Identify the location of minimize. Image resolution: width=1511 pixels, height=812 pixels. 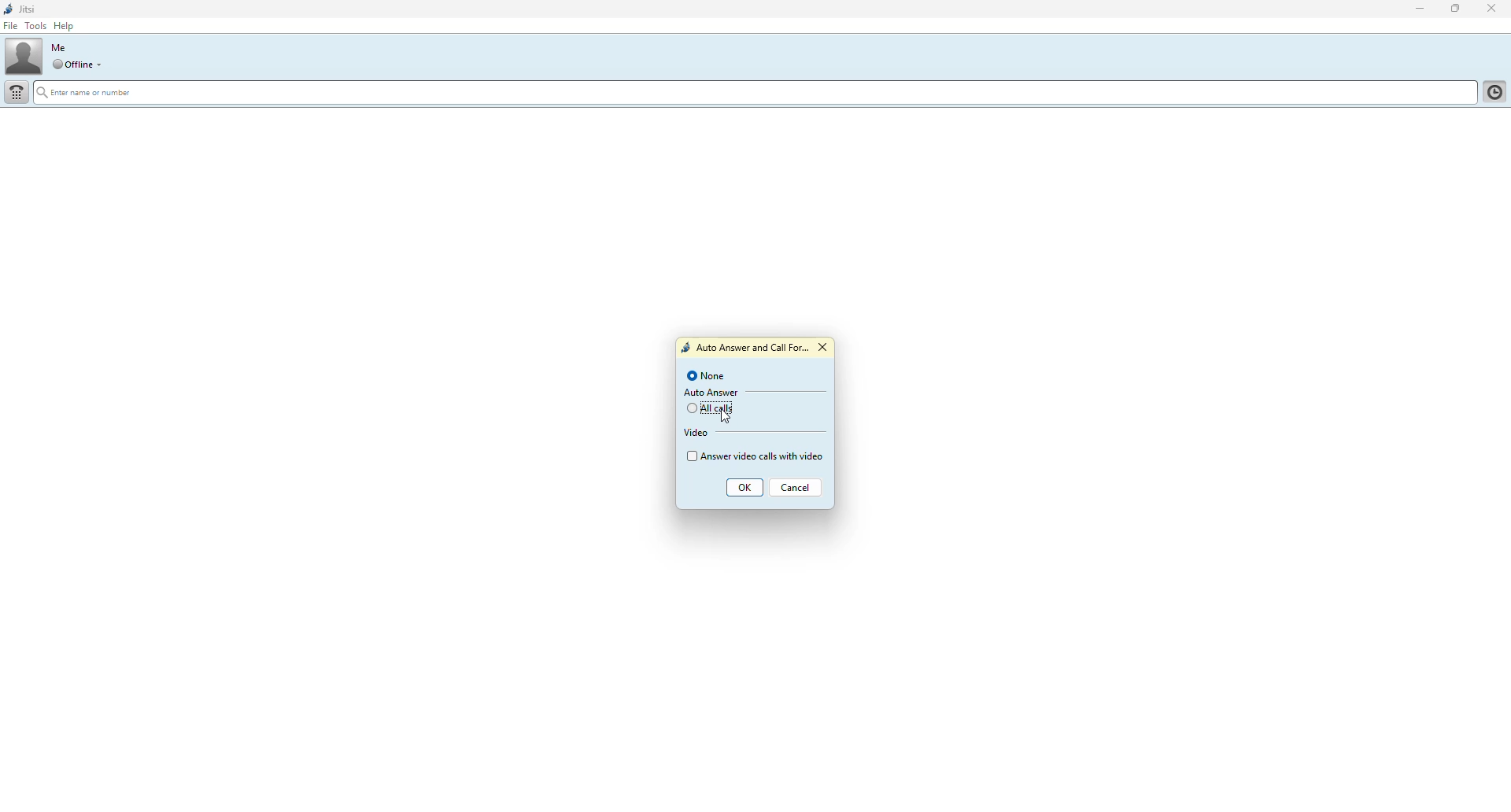
(1417, 9).